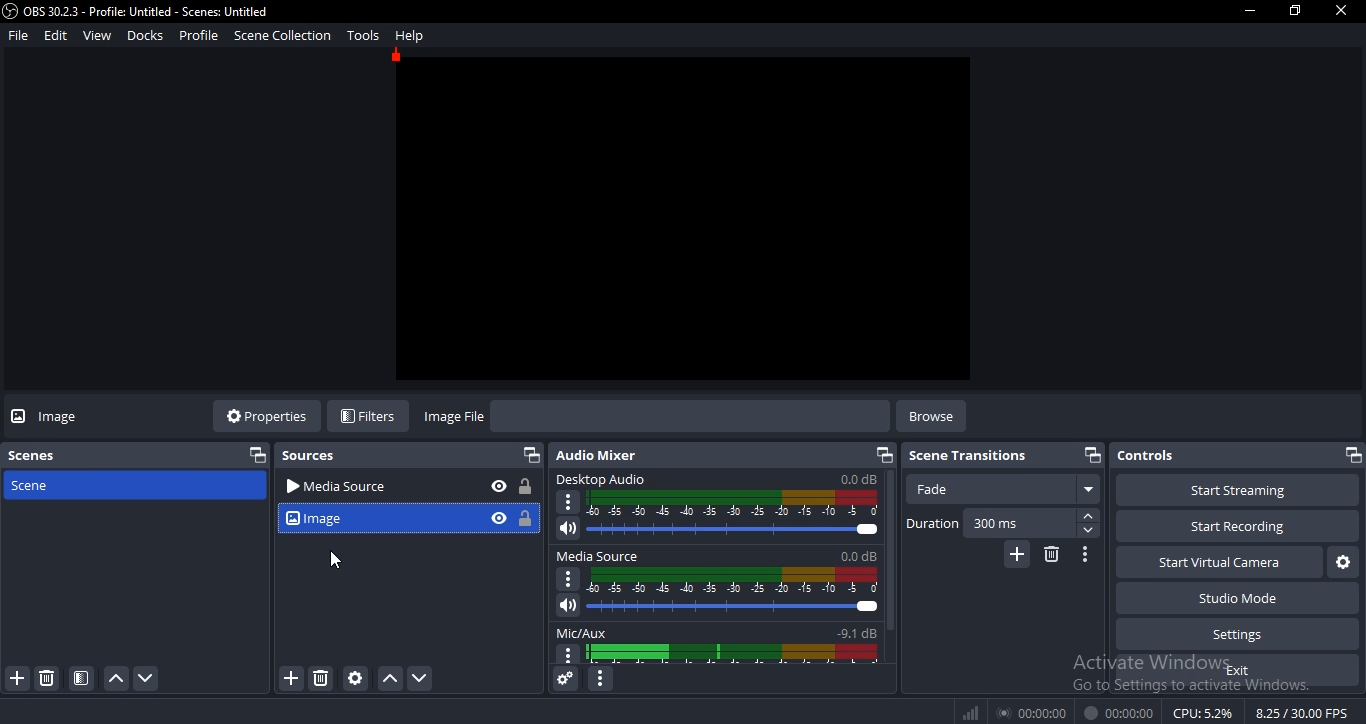 This screenshot has width=1366, height=724. I want to click on image, so click(684, 218).